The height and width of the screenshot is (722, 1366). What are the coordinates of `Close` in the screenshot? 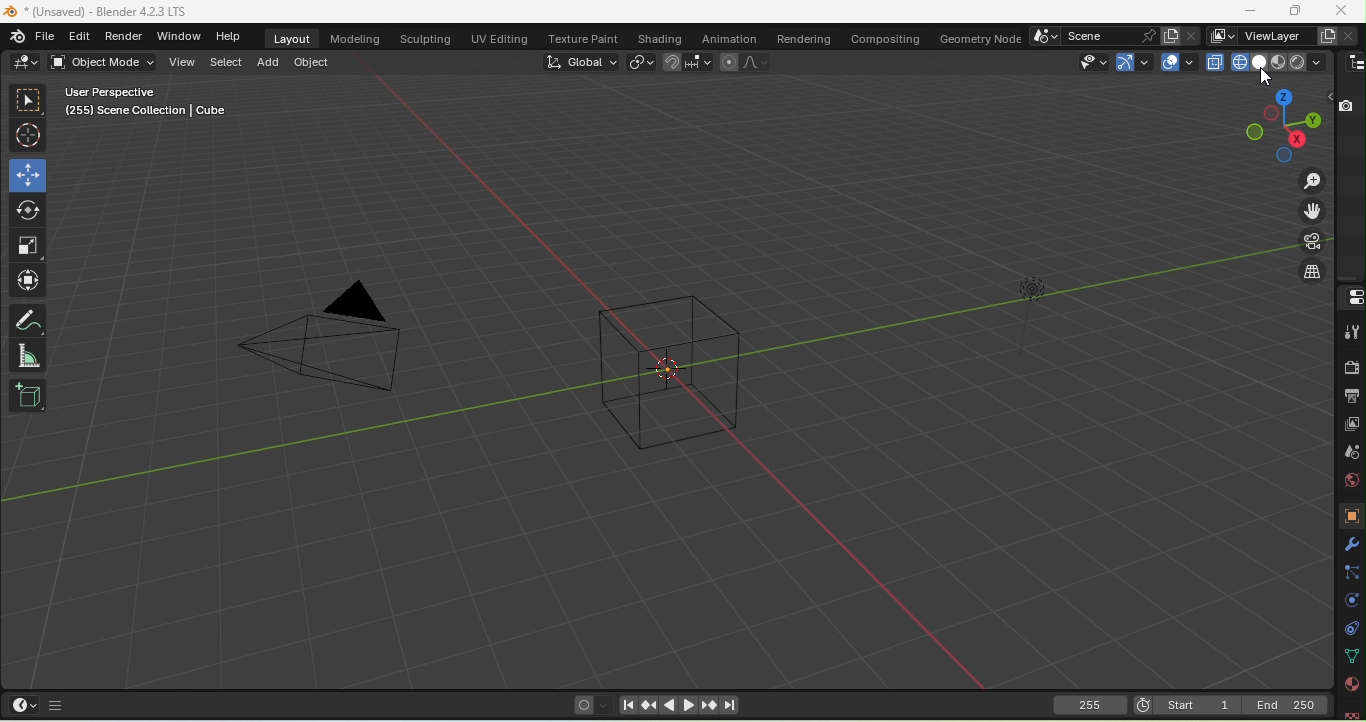 It's located at (1339, 11).